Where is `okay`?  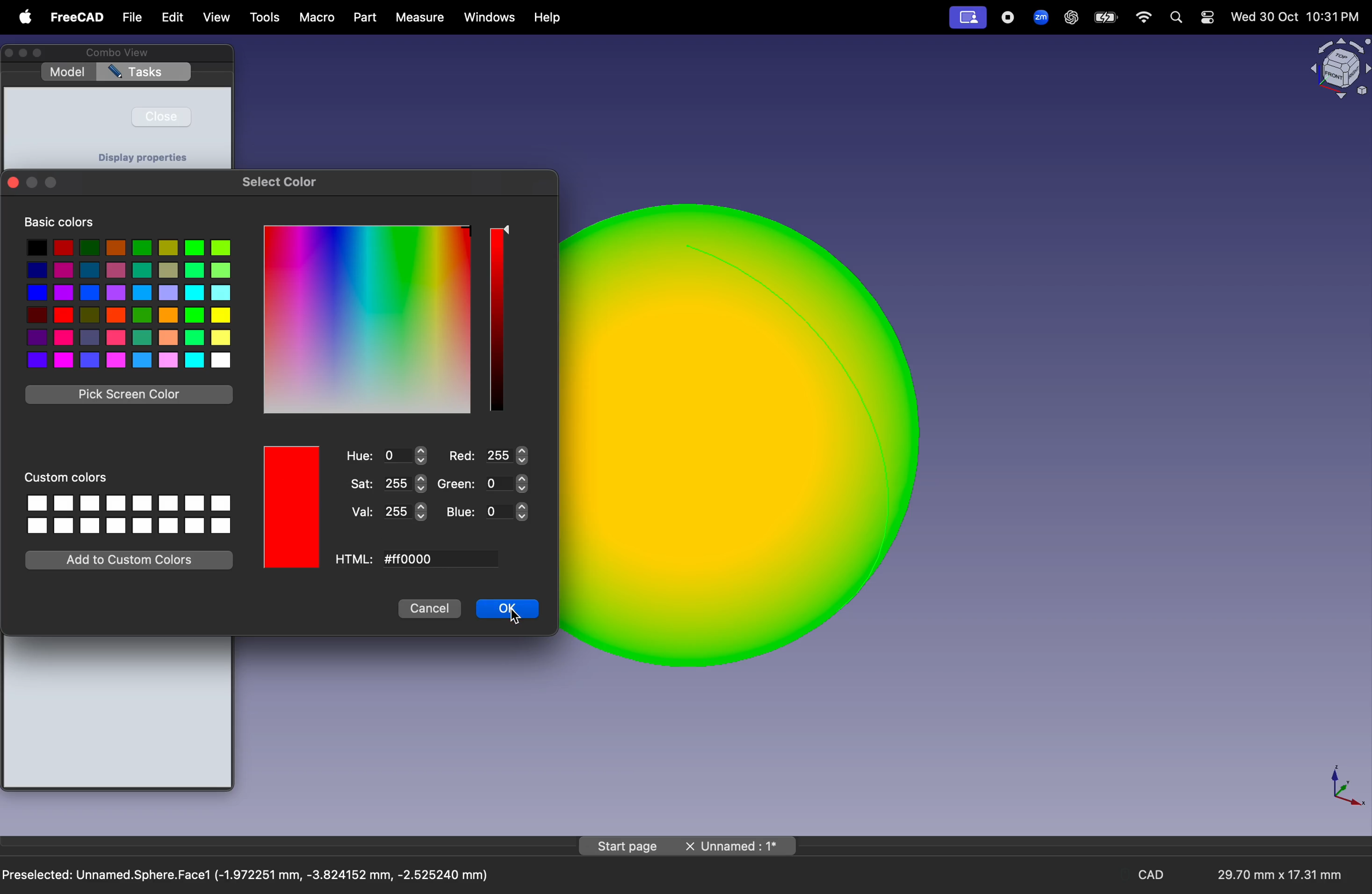 okay is located at coordinates (508, 609).